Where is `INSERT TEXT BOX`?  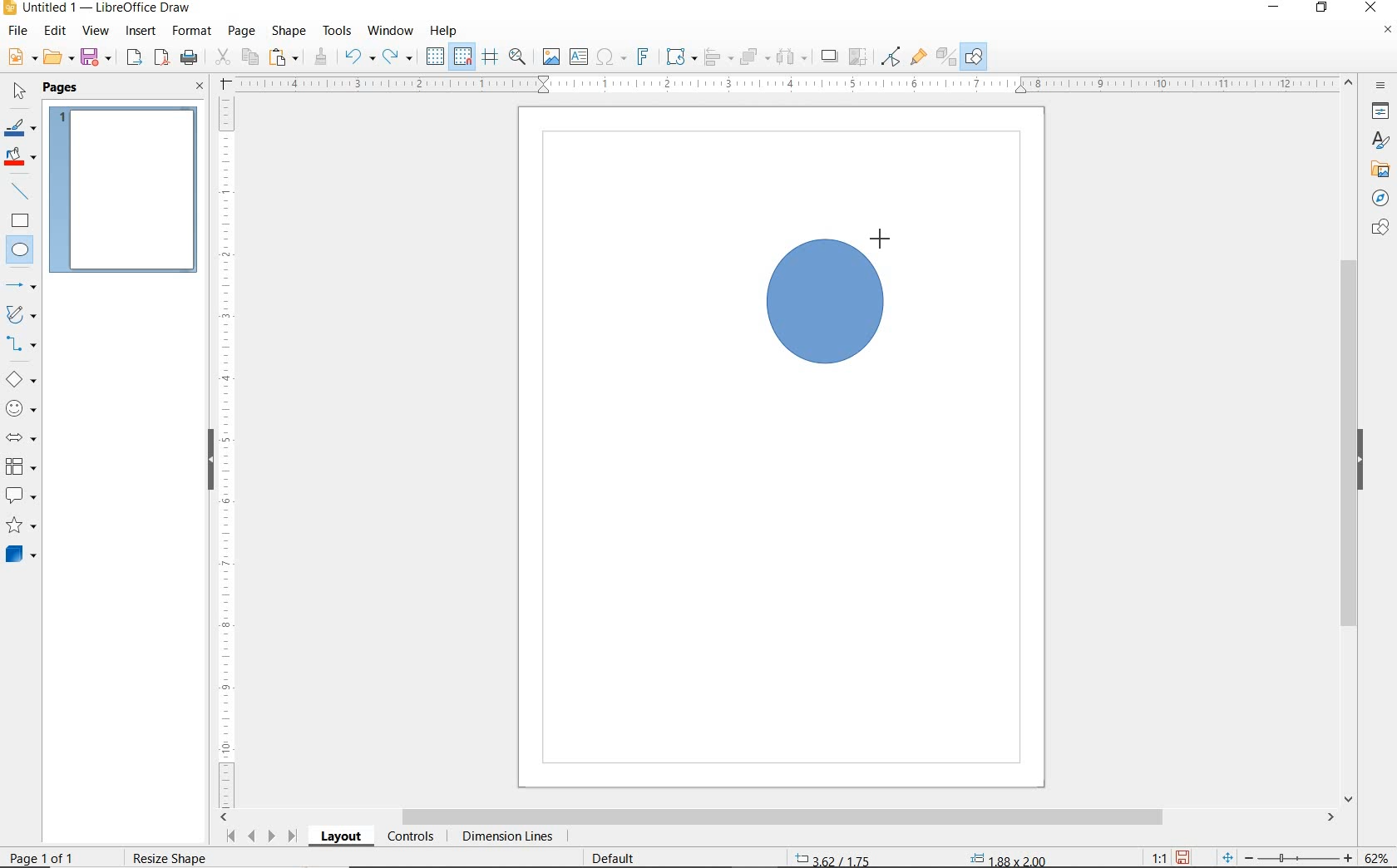 INSERT TEXT BOX is located at coordinates (580, 57).